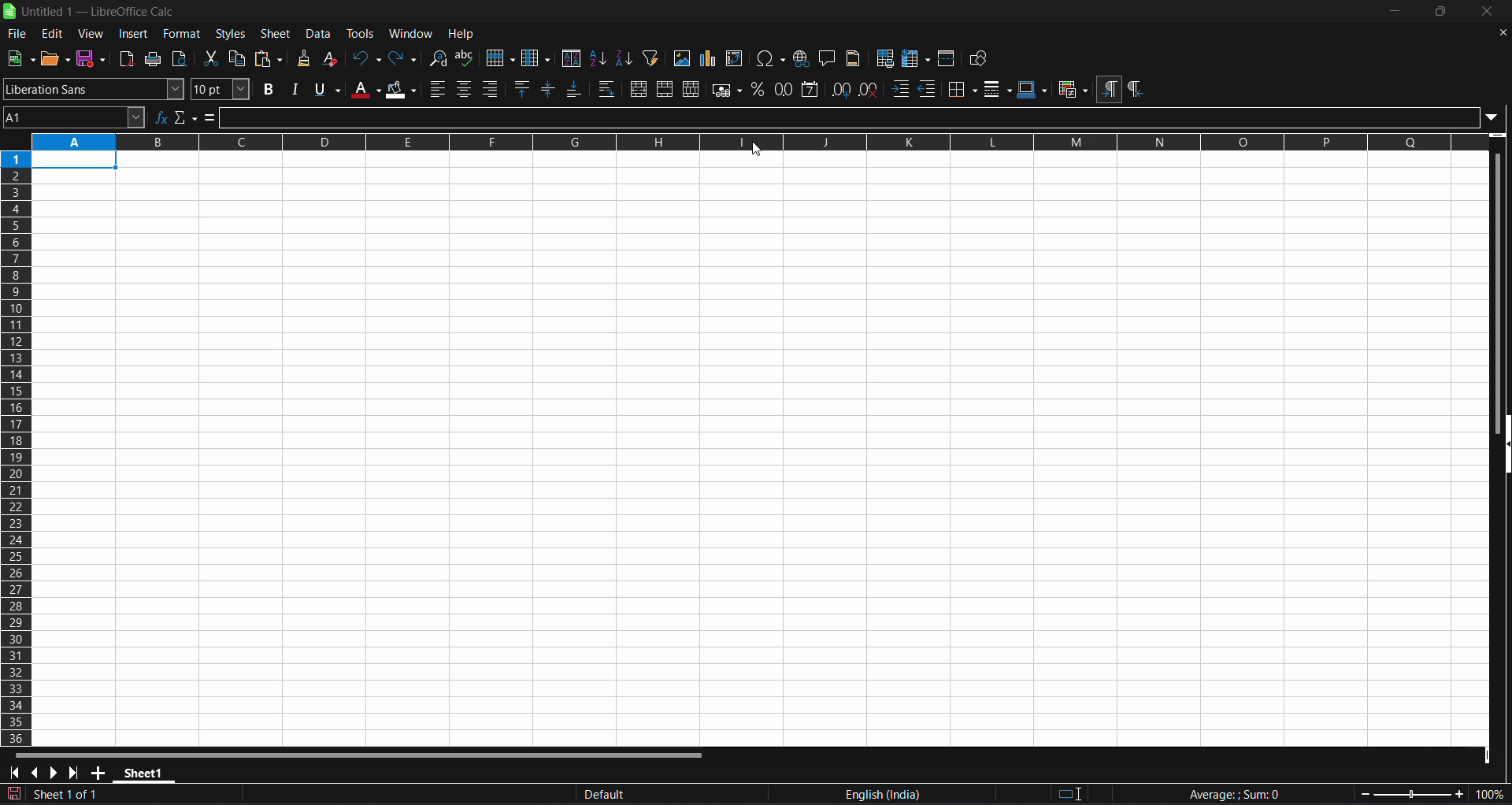  What do you see at coordinates (150, 770) in the screenshot?
I see `sheet 1` at bounding box center [150, 770].